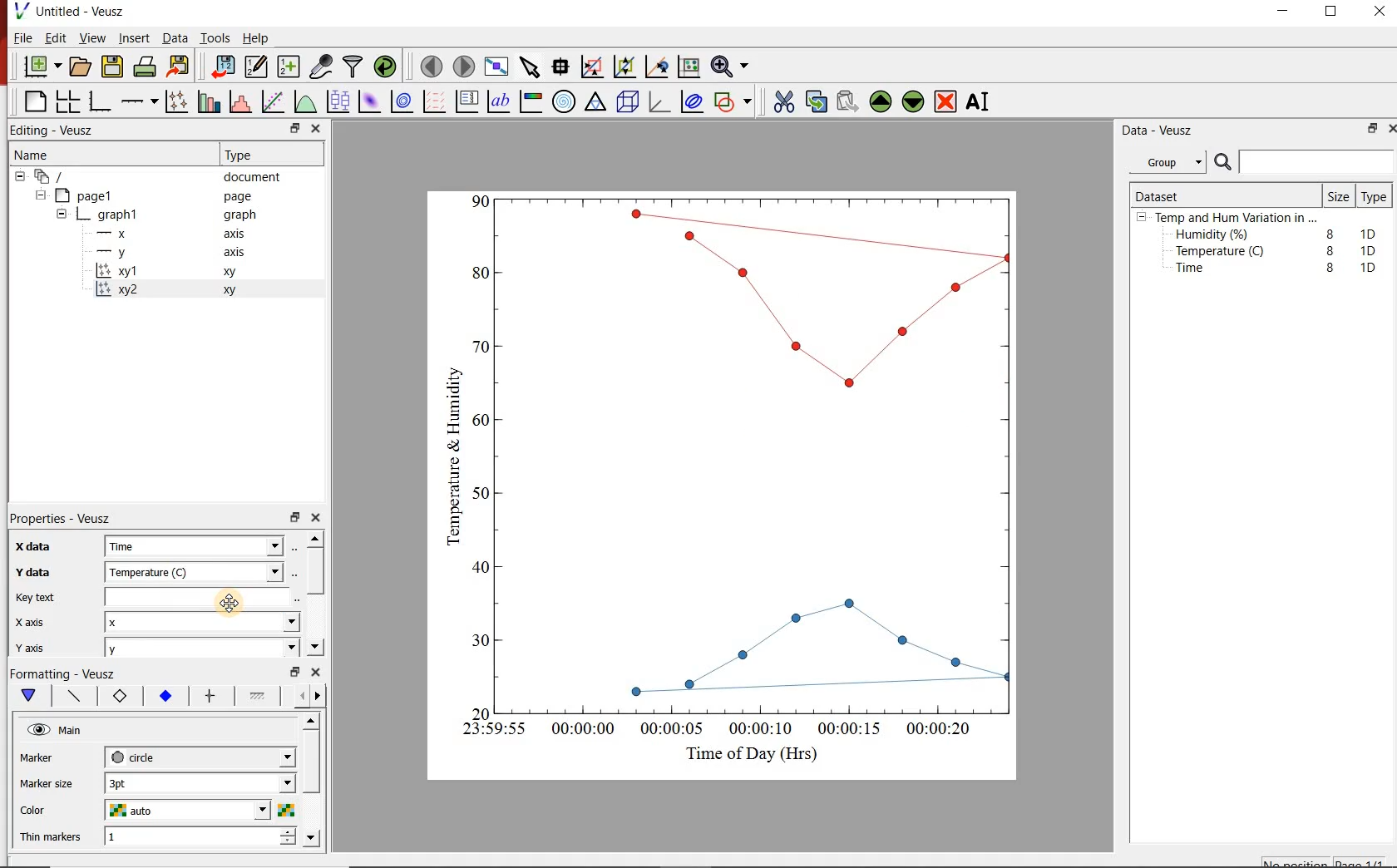 This screenshot has width=1397, height=868. What do you see at coordinates (1199, 272) in the screenshot?
I see `Time` at bounding box center [1199, 272].